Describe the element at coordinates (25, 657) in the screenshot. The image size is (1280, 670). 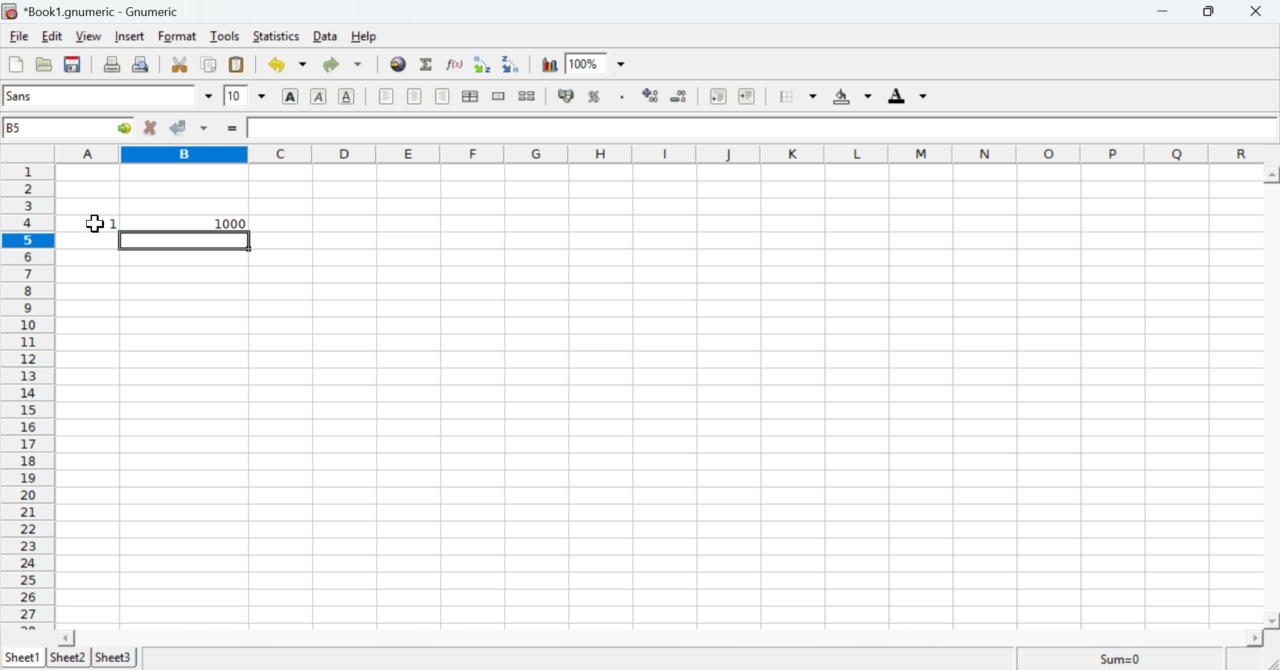
I see `Sheet 1` at that location.